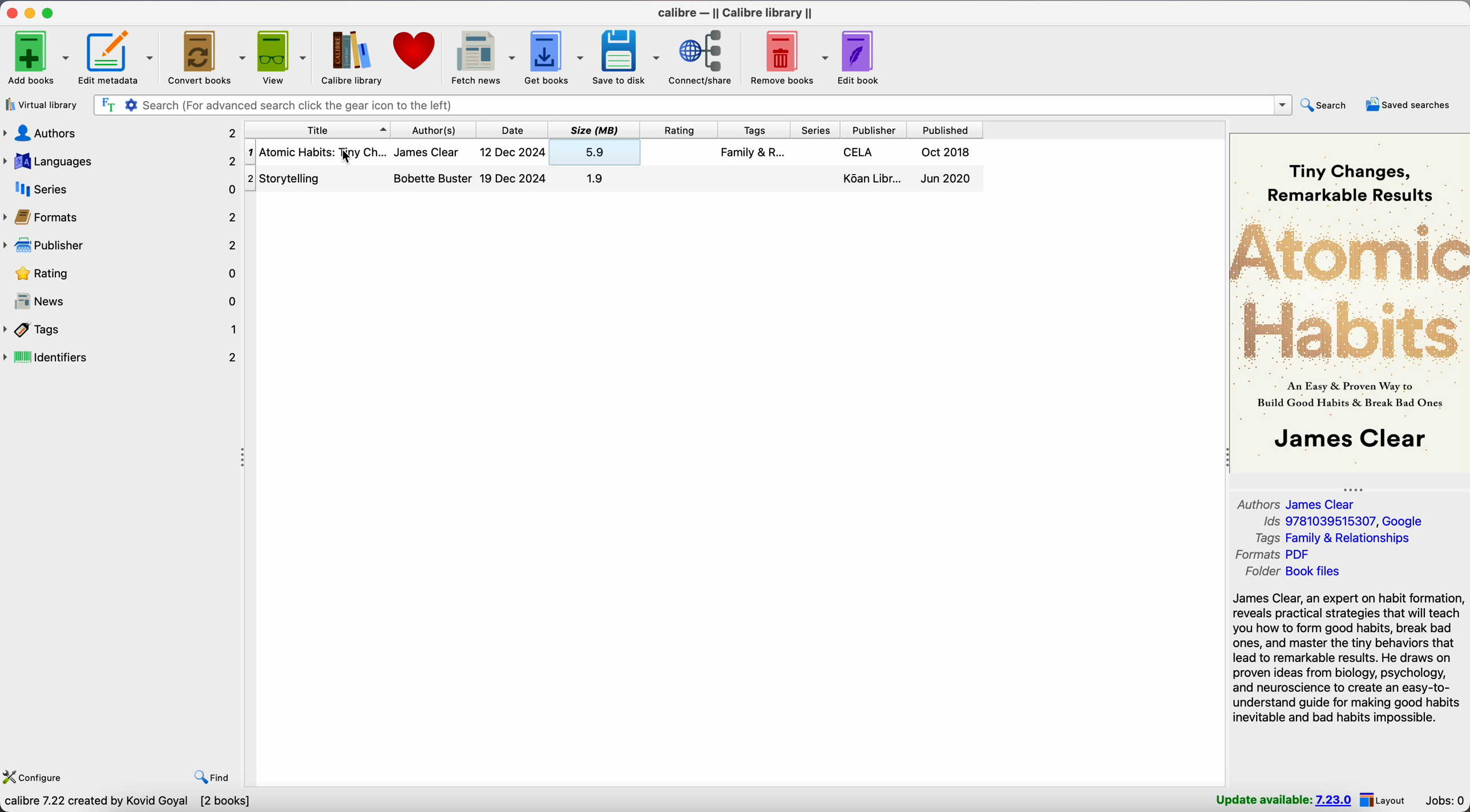 The image size is (1470, 812). I want to click on configure, so click(34, 775).